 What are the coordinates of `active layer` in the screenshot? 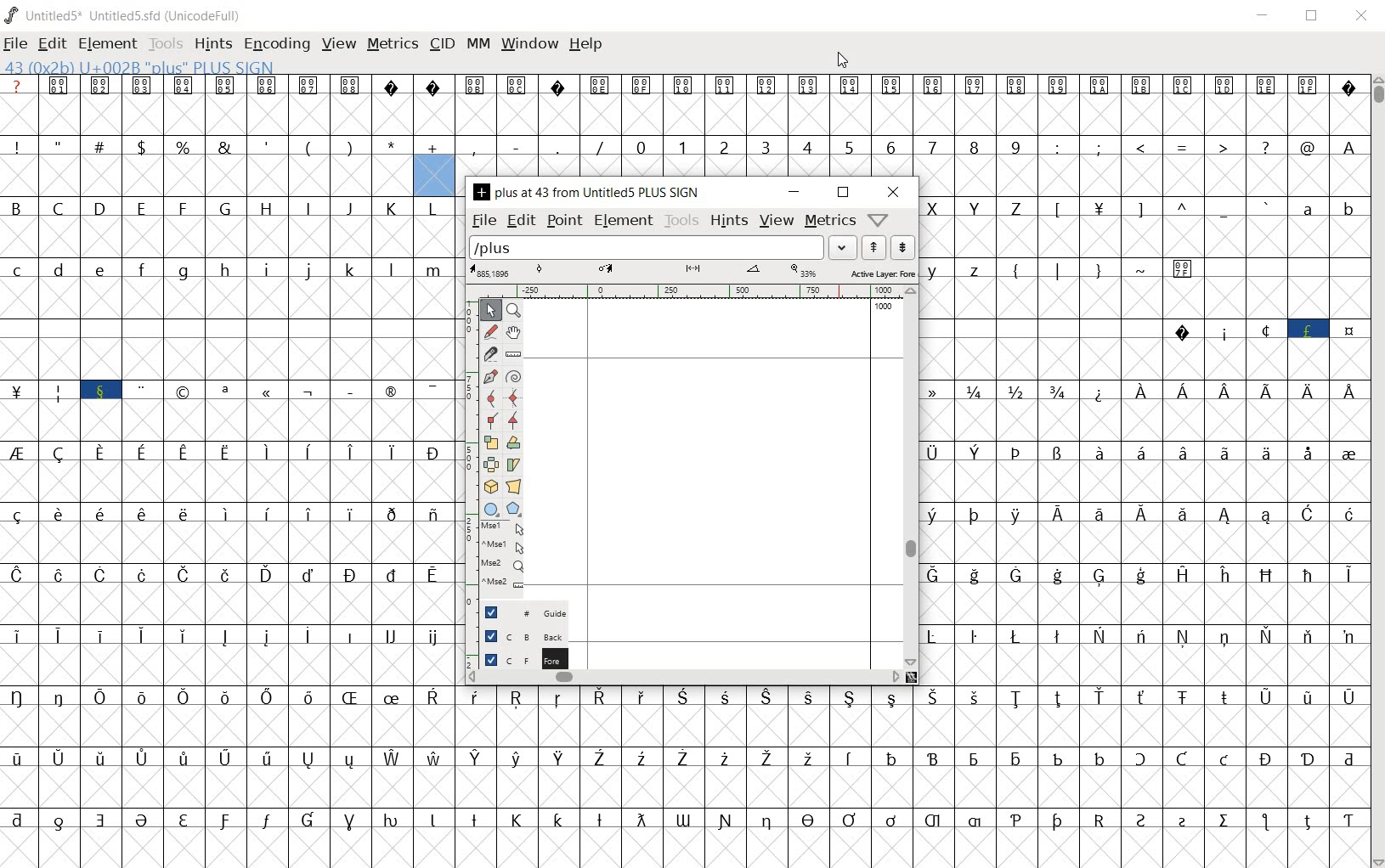 It's located at (691, 272).